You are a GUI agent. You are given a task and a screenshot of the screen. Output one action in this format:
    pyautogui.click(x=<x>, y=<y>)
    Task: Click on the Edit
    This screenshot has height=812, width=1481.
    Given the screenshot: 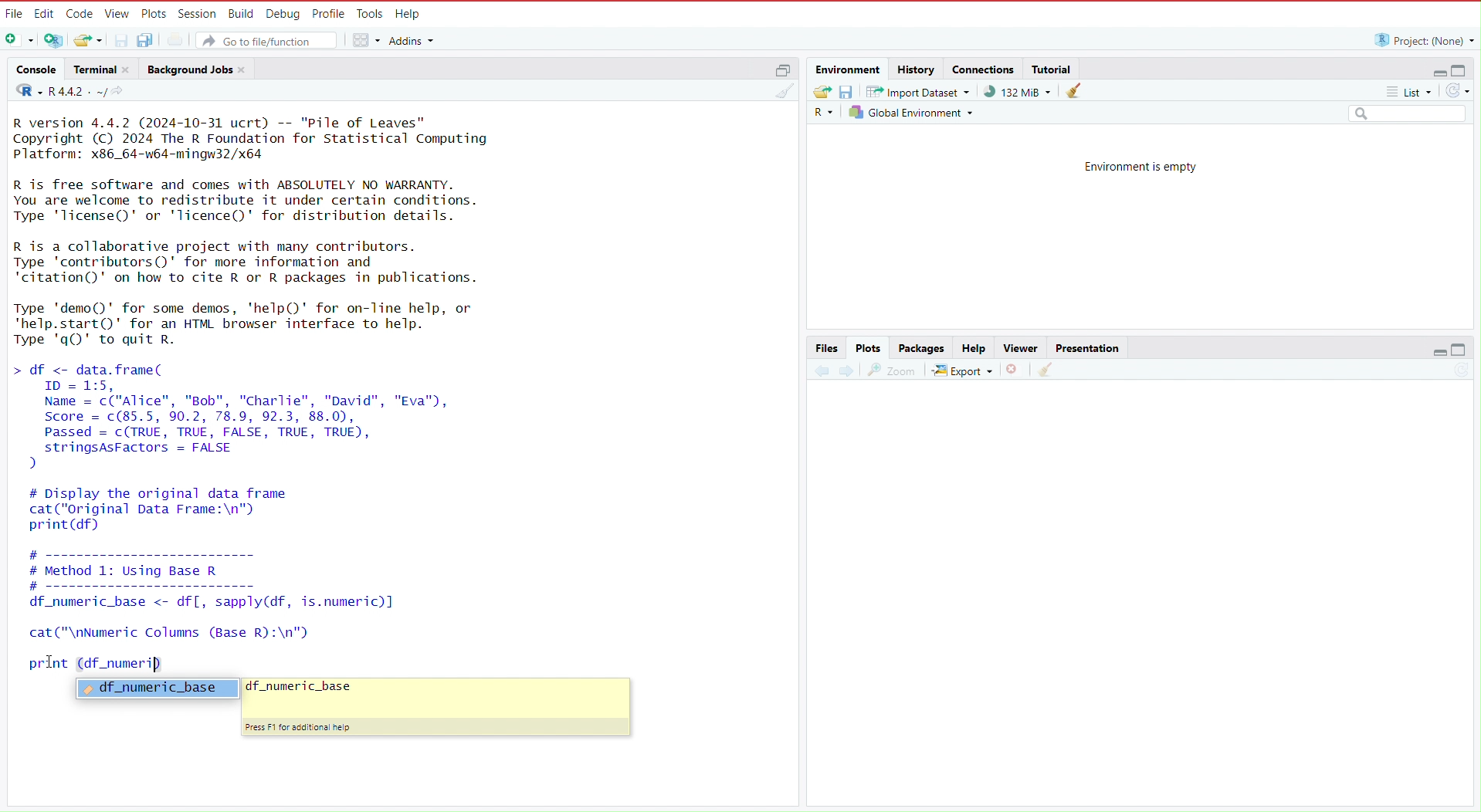 What is the action you would take?
    pyautogui.click(x=44, y=11)
    